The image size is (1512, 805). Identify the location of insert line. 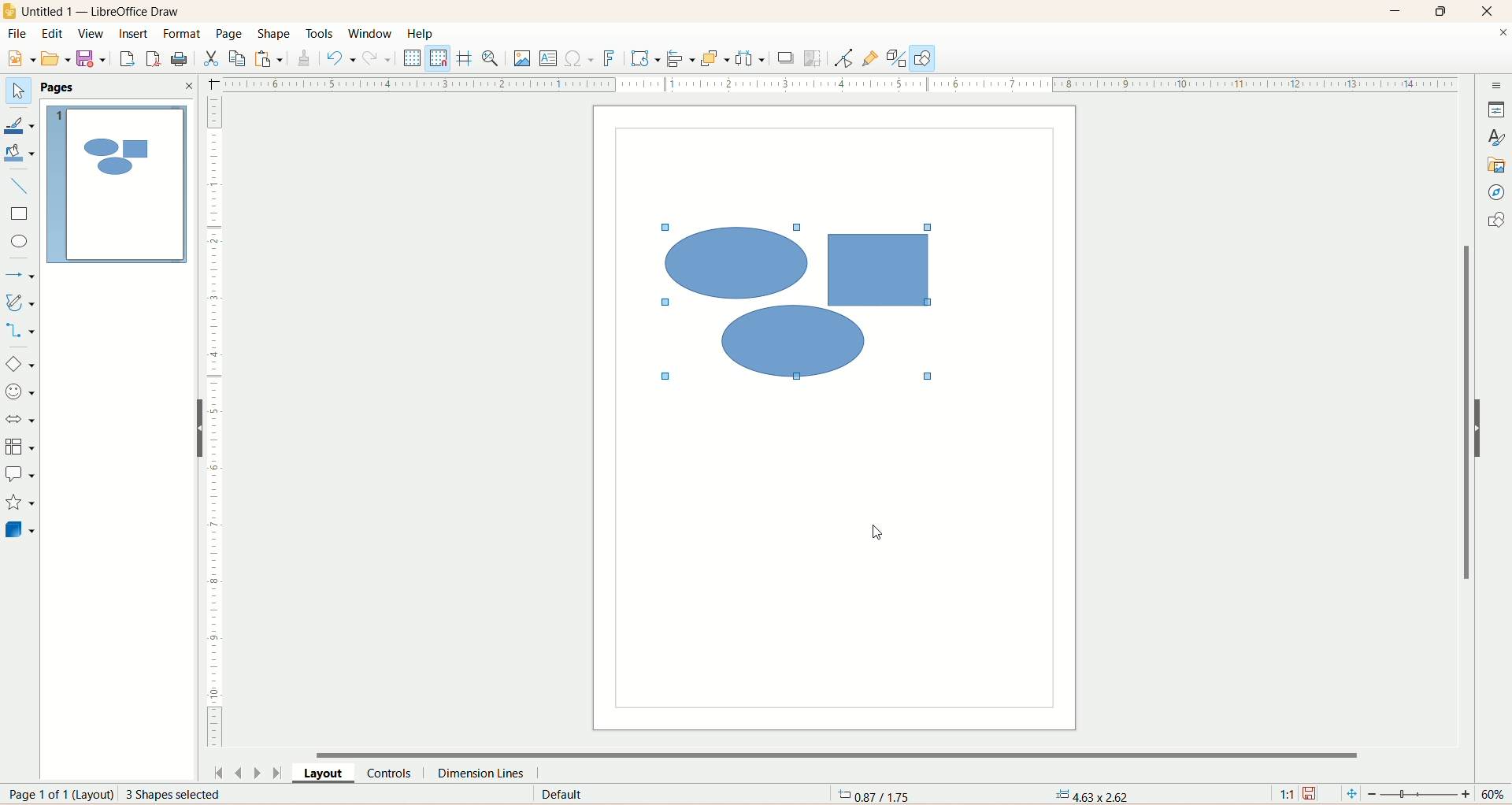
(20, 189).